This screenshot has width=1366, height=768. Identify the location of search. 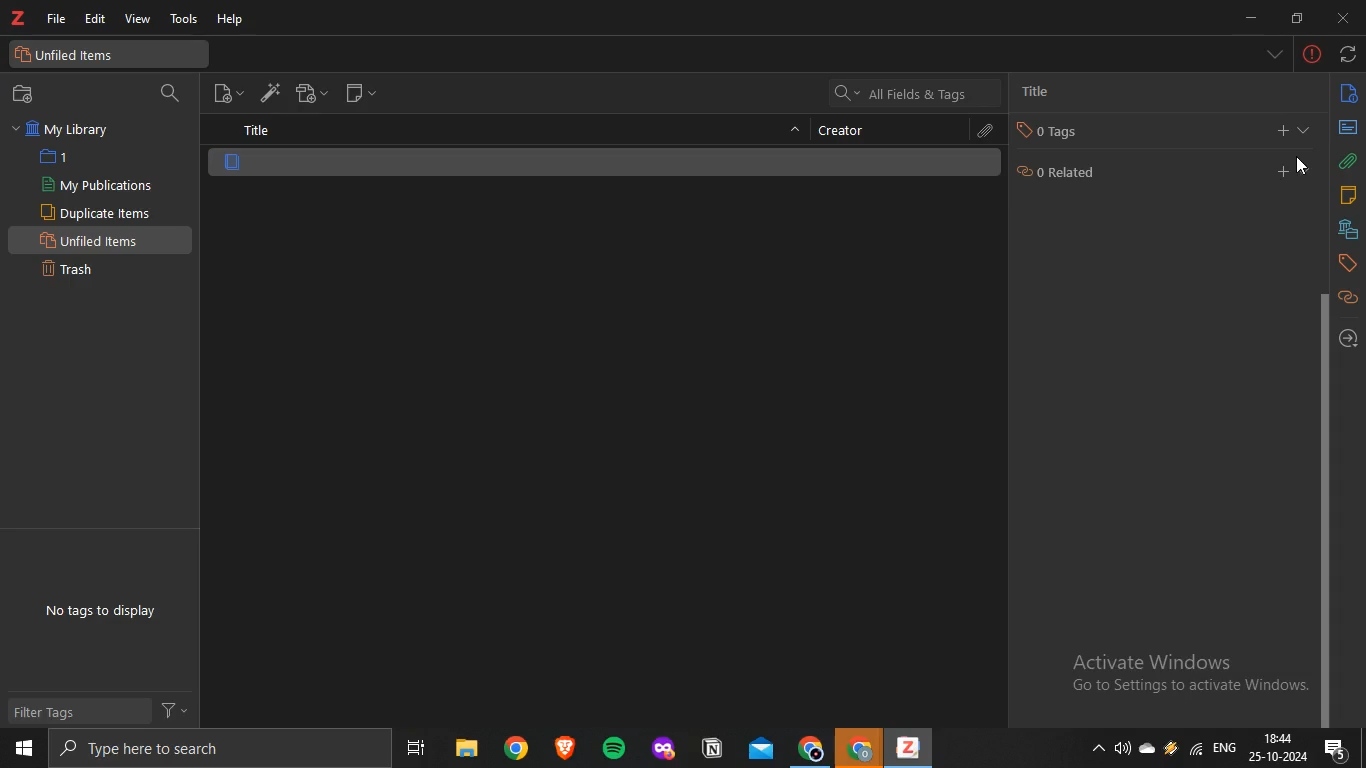
(211, 749).